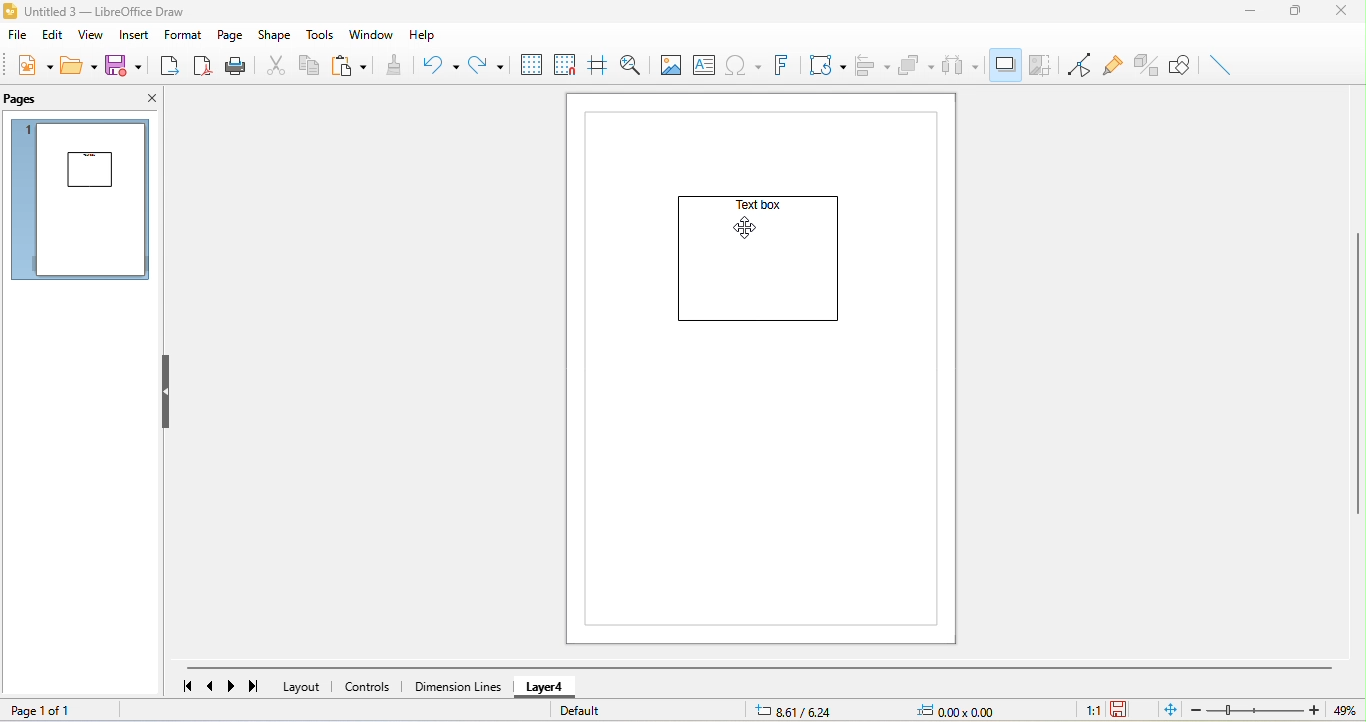 The width and height of the screenshot is (1366, 722). What do you see at coordinates (963, 66) in the screenshot?
I see `select at least three object` at bounding box center [963, 66].